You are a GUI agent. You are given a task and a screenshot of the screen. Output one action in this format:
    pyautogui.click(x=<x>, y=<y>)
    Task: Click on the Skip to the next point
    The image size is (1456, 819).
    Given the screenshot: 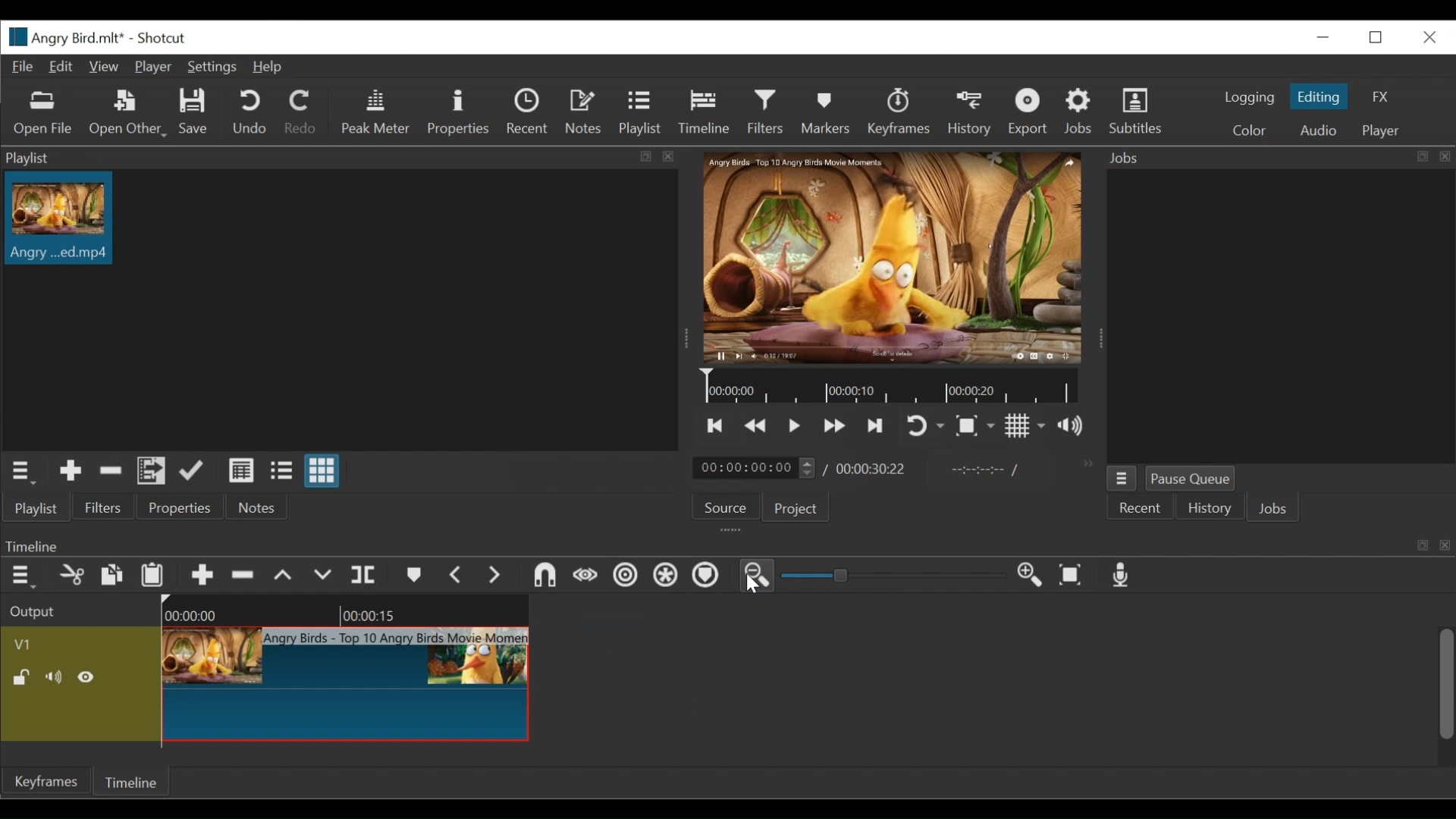 What is the action you would take?
    pyautogui.click(x=877, y=426)
    